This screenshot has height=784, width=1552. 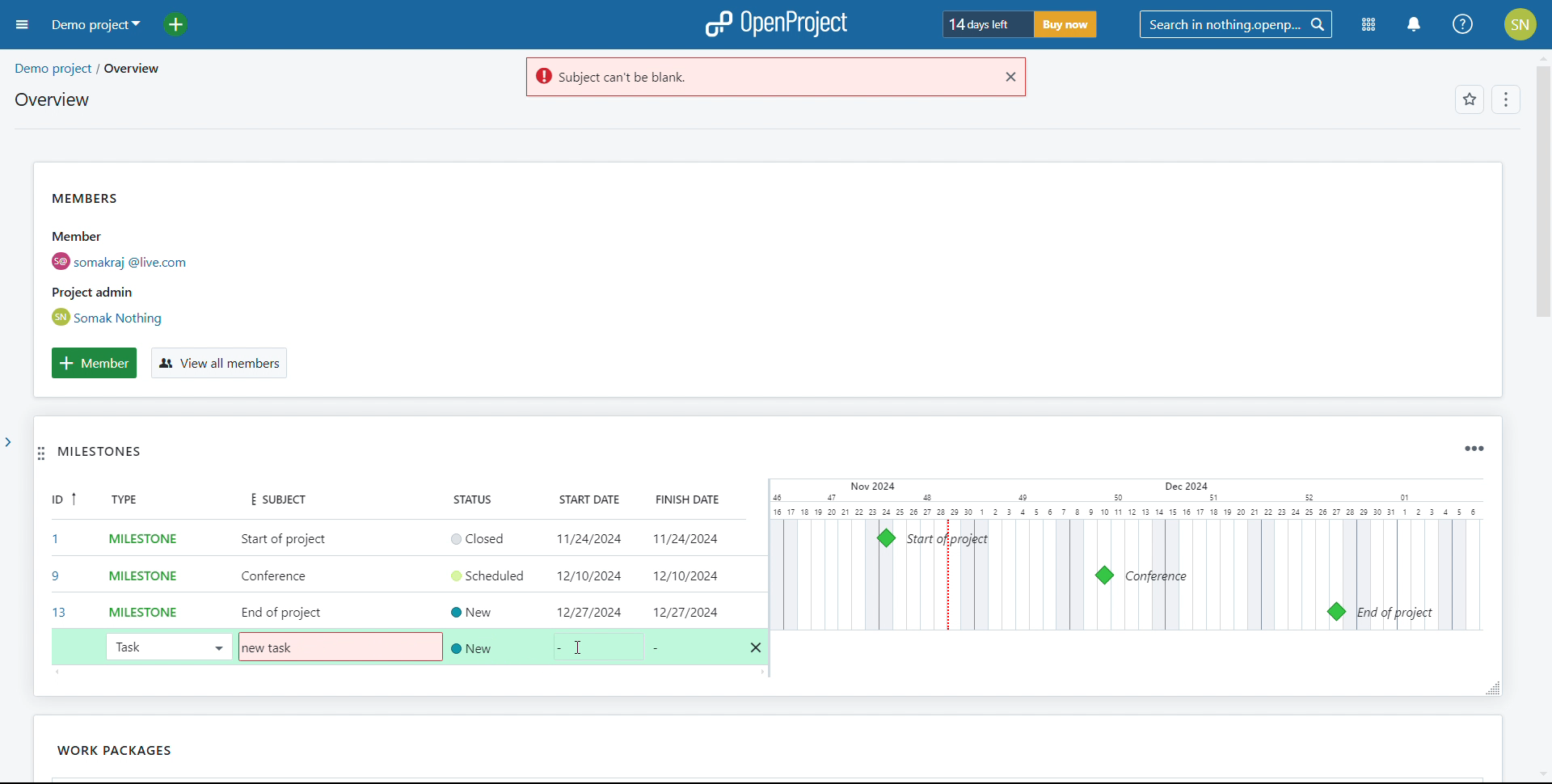 I want to click on calendar view, so click(x=1125, y=554).